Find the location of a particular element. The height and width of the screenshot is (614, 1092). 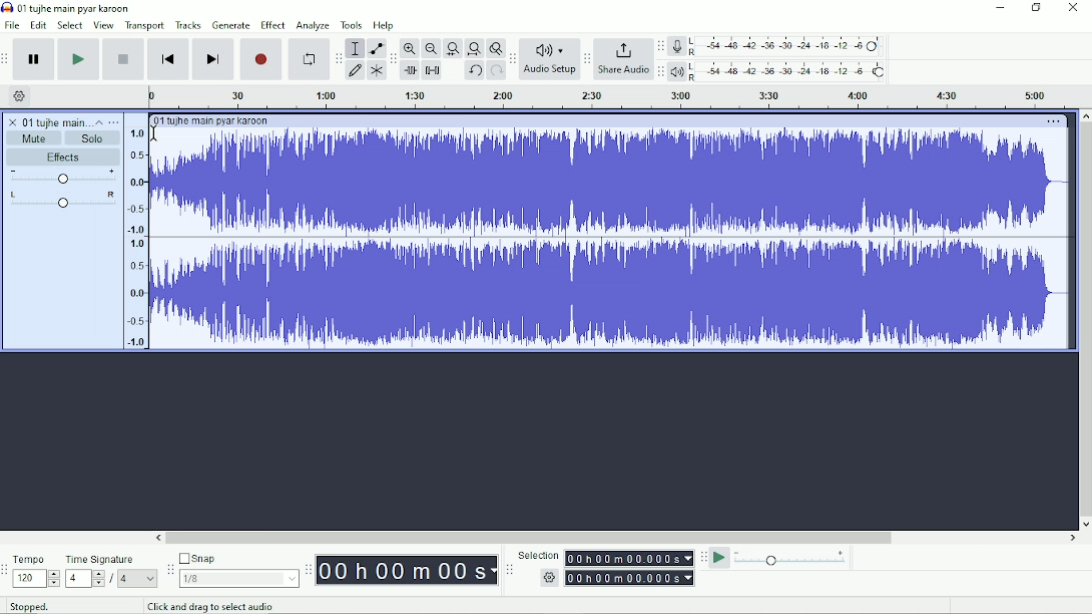

01 tujhy main pyar kroon is located at coordinates (211, 121).